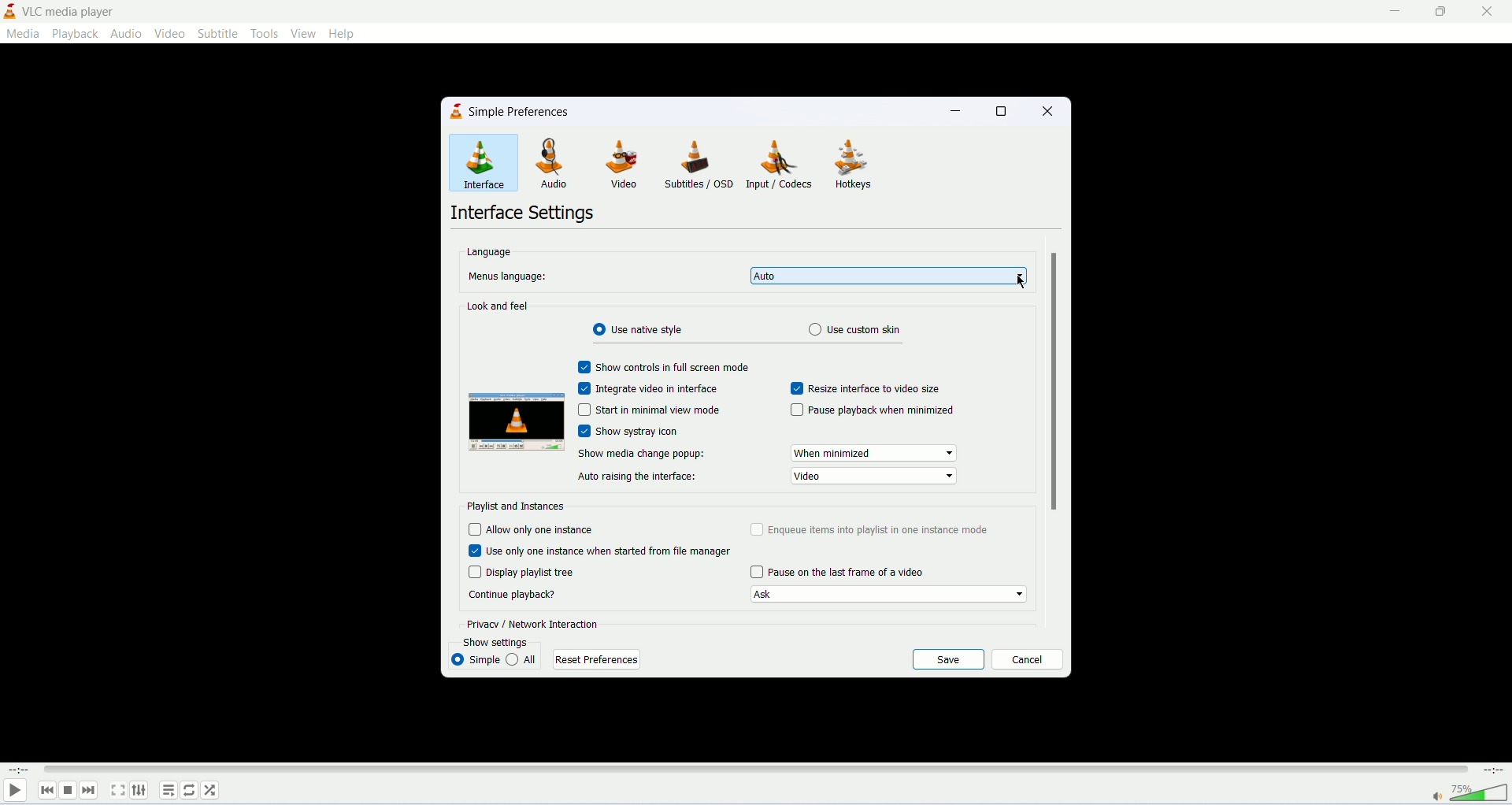 The width and height of the screenshot is (1512, 805). I want to click on minimize, so click(1390, 12).